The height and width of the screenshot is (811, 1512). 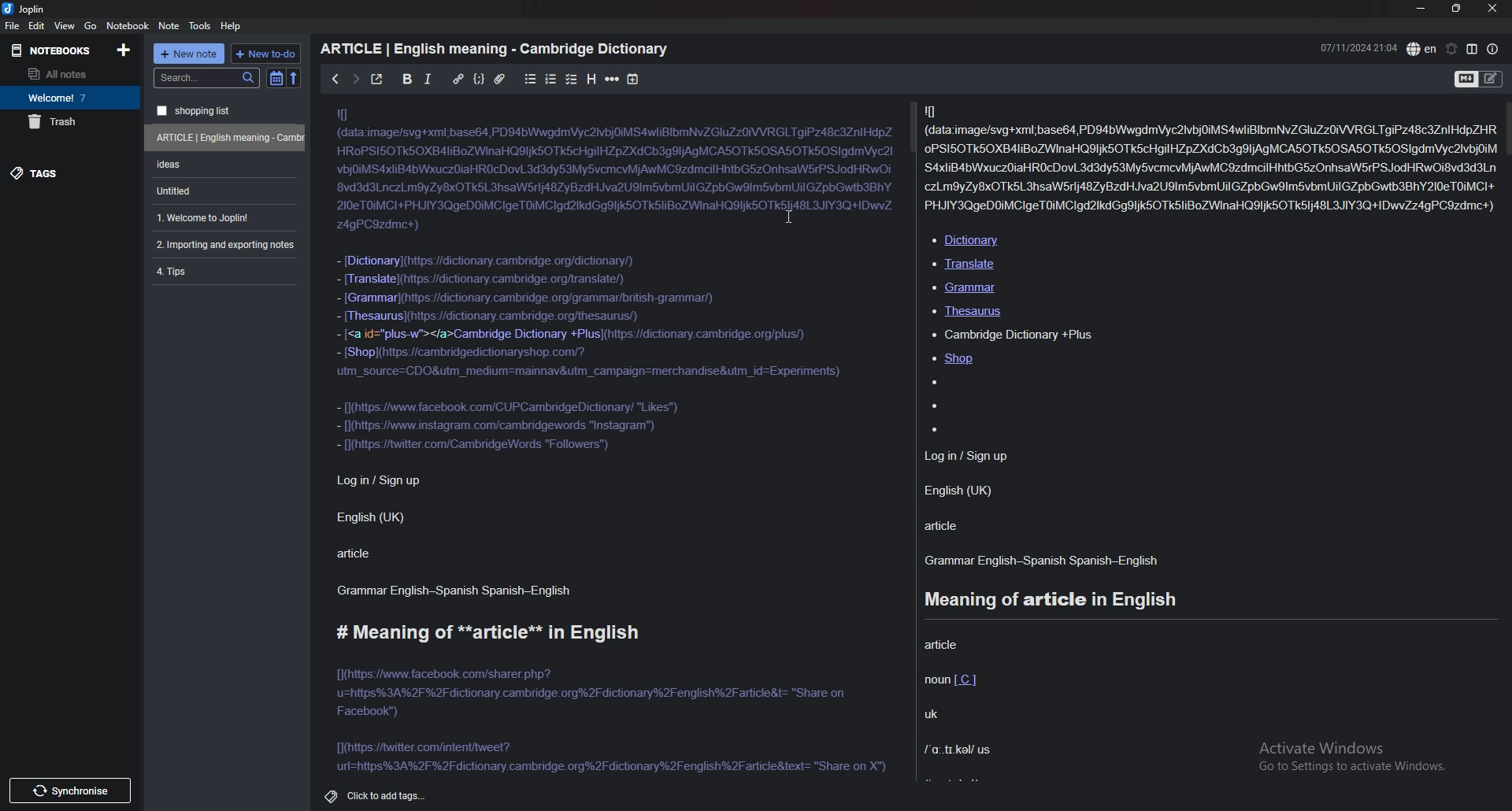 I want to click on previous, so click(x=337, y=80).